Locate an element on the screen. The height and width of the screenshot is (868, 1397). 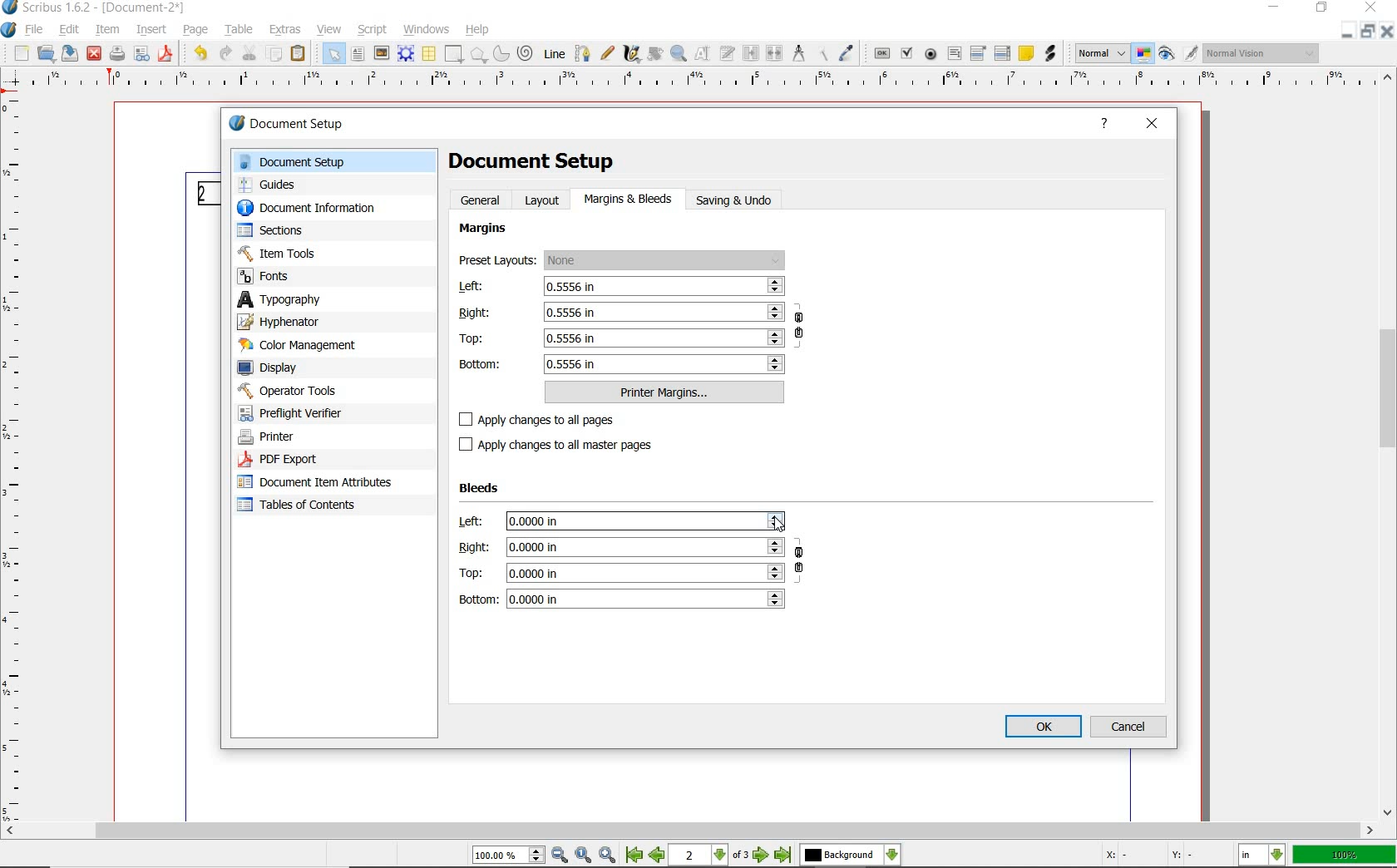
Right is located at coordinates (620, 547).